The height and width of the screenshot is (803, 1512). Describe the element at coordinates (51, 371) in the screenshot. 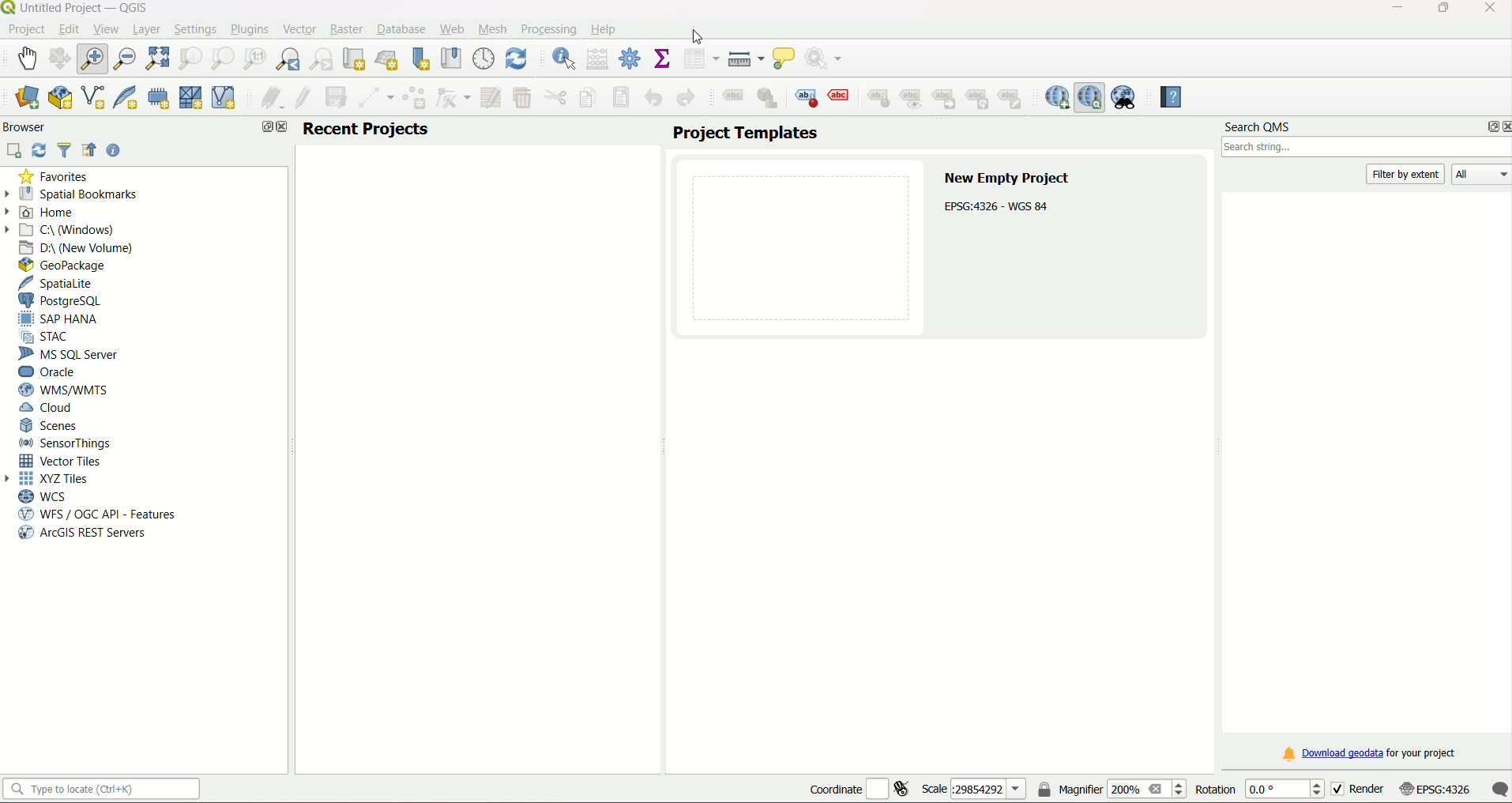

I see `Oracle` at that location.